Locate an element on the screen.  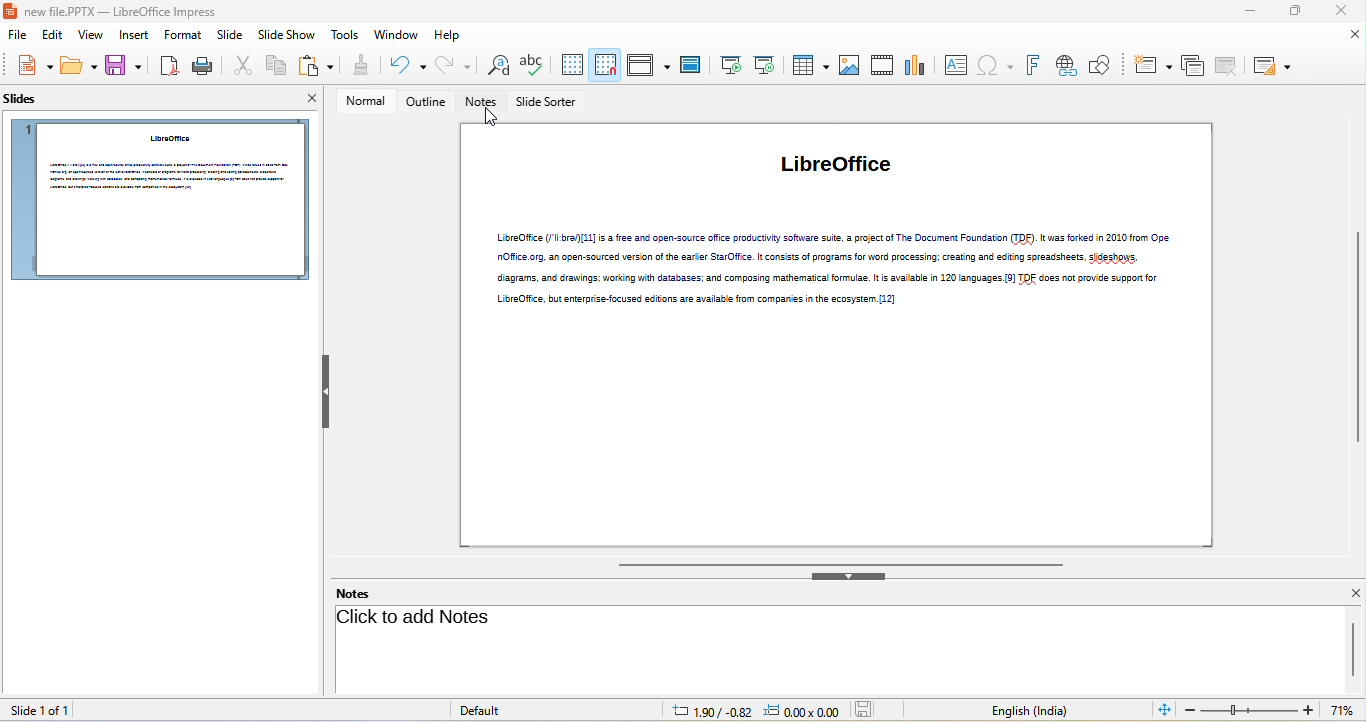
vertical scroll bar is located at coordinates (1354, 646).